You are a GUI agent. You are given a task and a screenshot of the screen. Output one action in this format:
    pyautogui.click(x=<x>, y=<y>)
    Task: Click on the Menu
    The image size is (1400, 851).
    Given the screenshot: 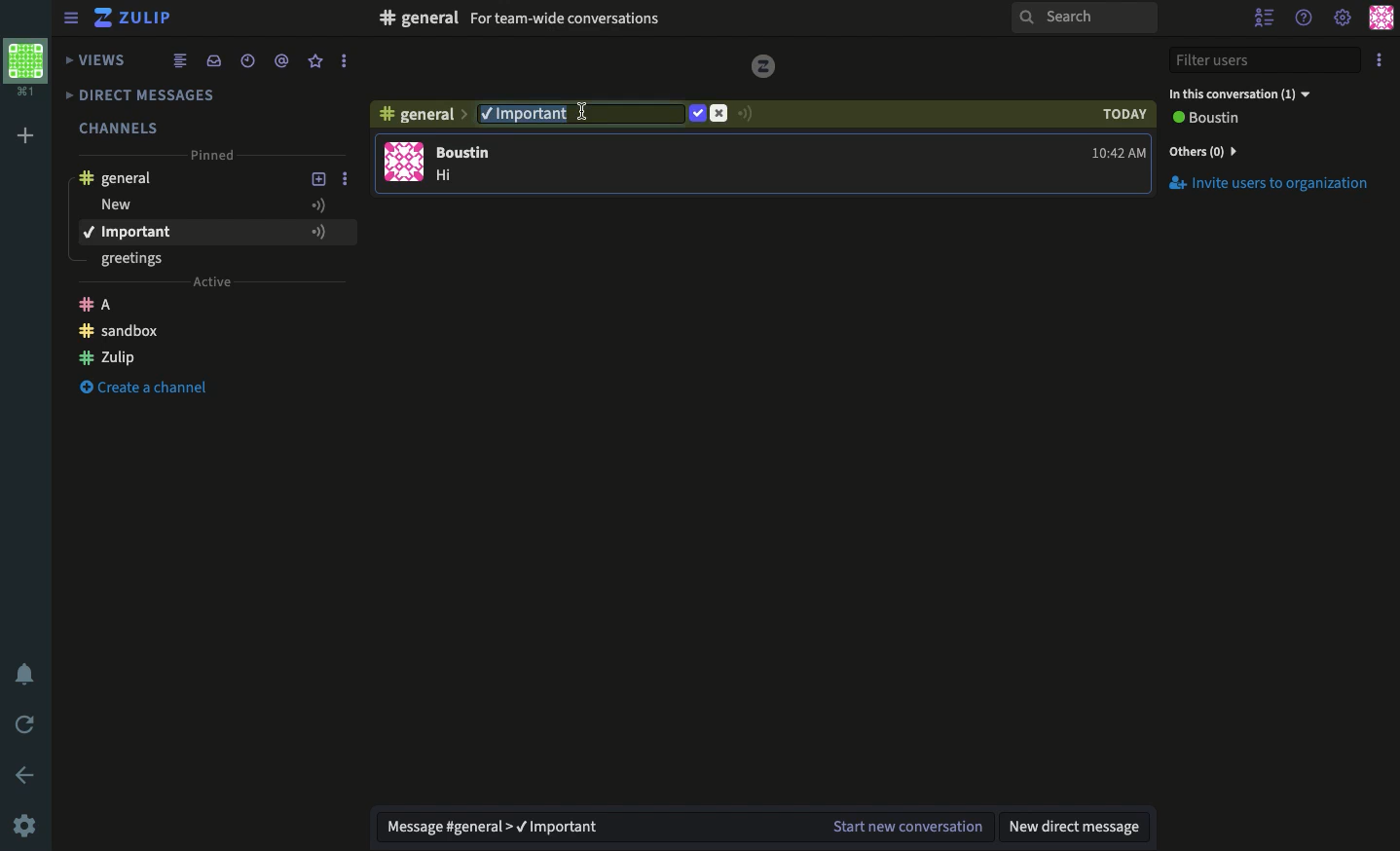 What is the action you would take?
    pyautogui.click(x=72, y=17)
    